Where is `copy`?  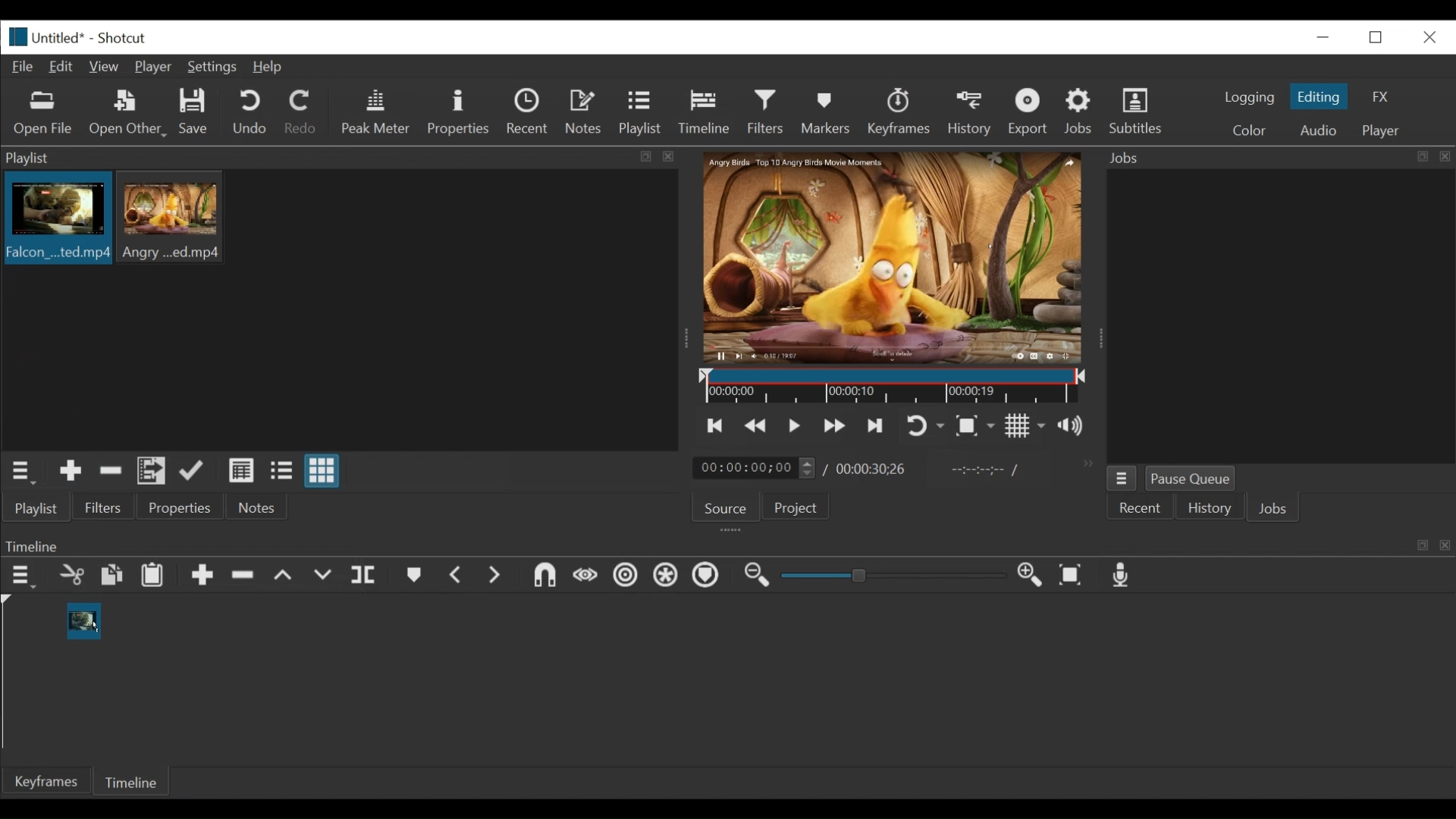 copy is located at coordinates (113, 577).